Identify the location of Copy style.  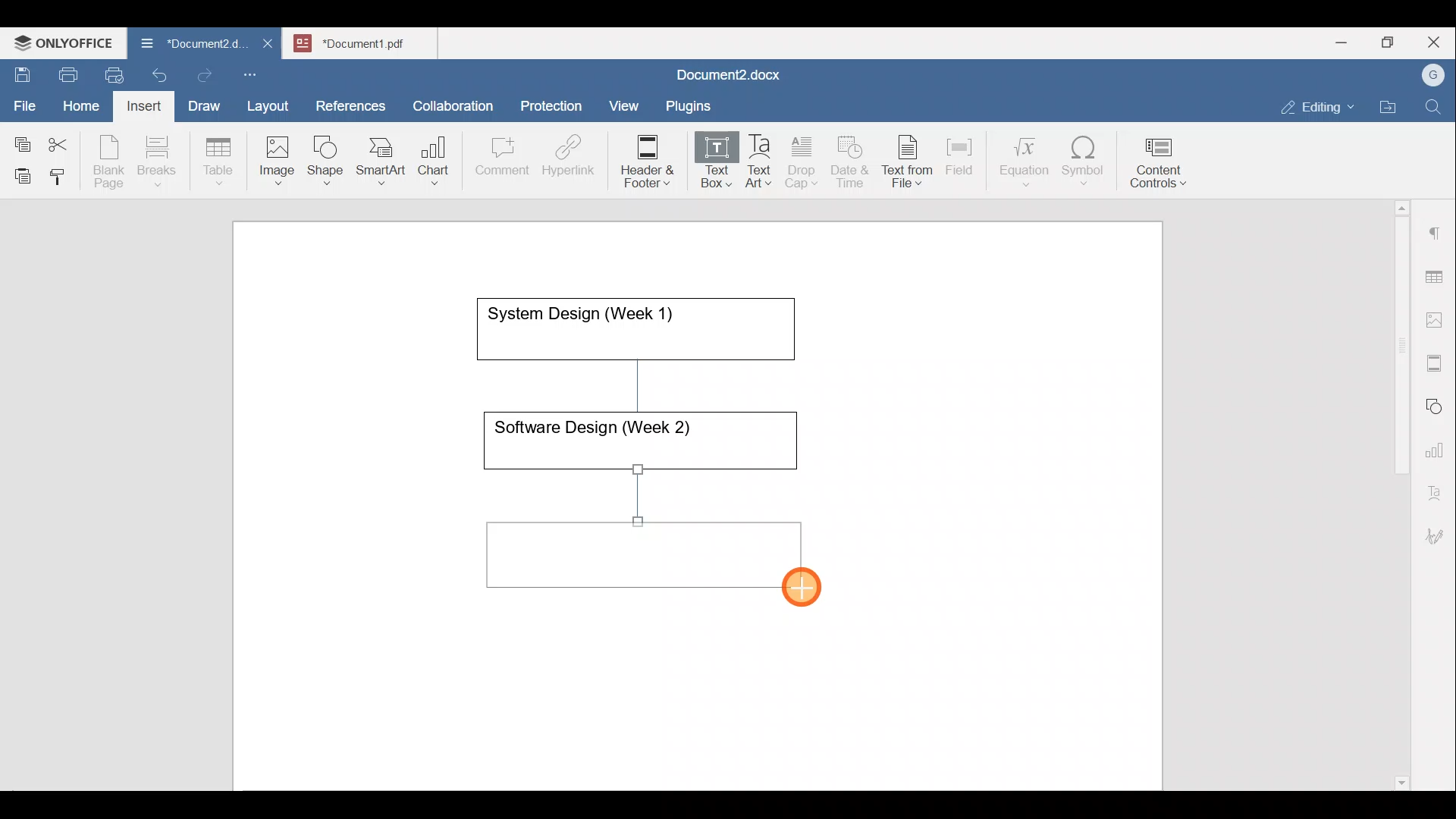
(63, 173).